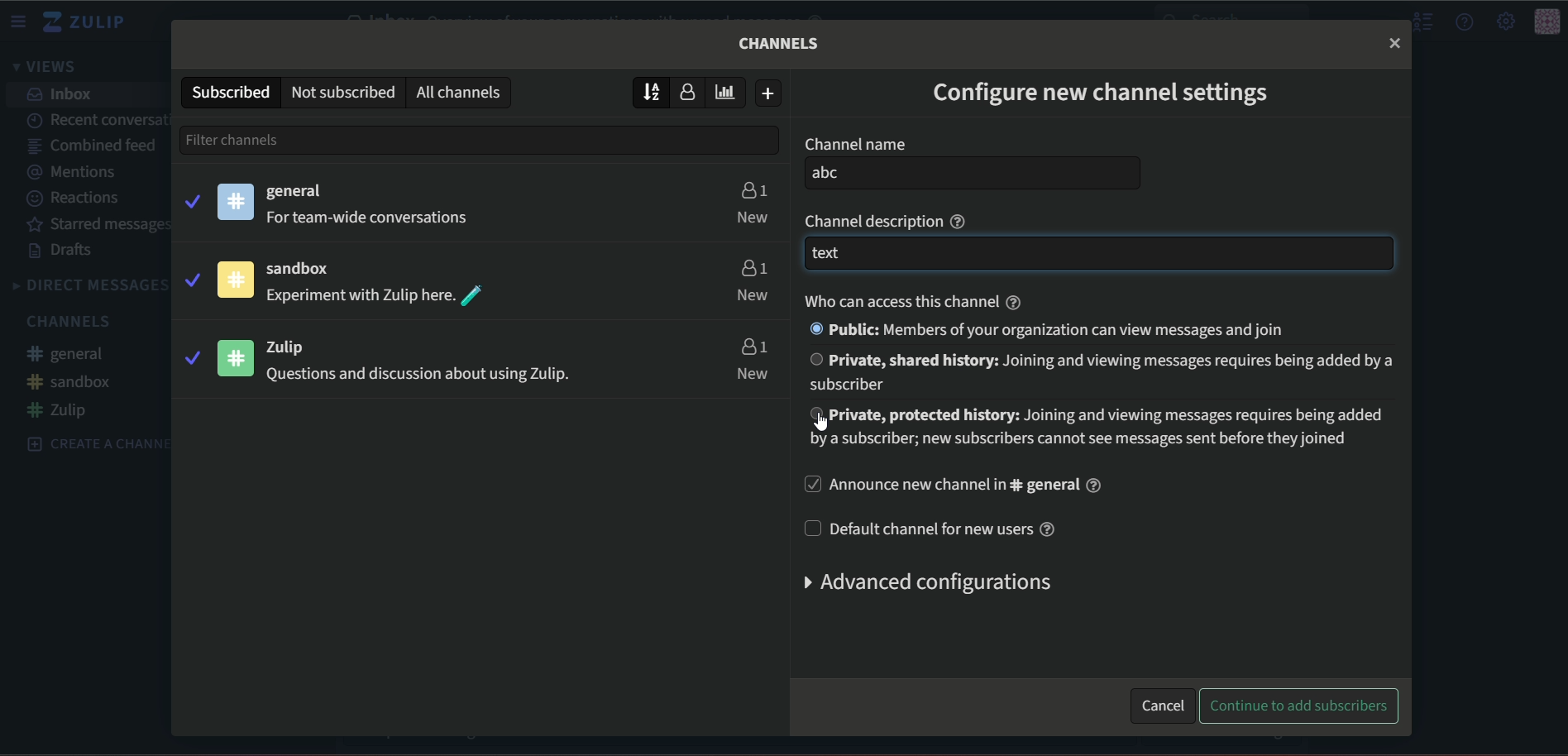 This screenshot has width=1568, height=756. I want to click on icon, so click(237, 201).